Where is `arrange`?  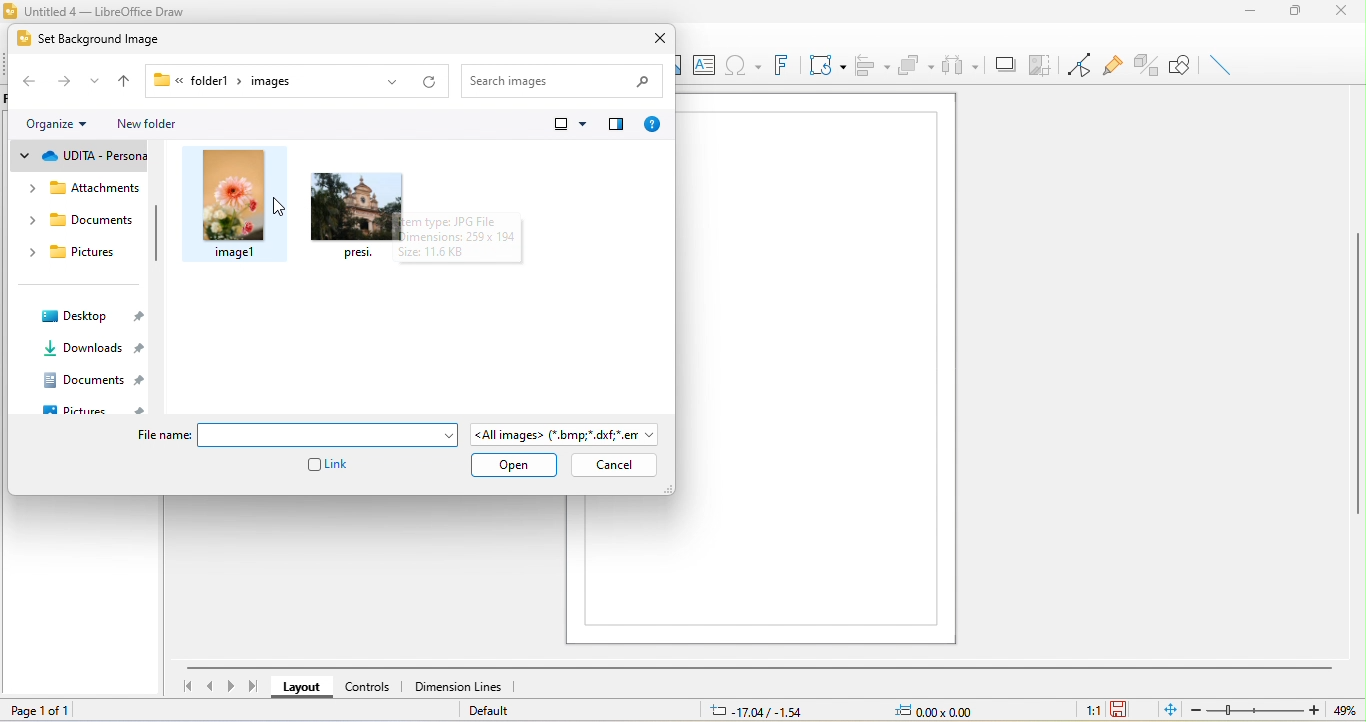
arrange is located at coordinates (916, 64).